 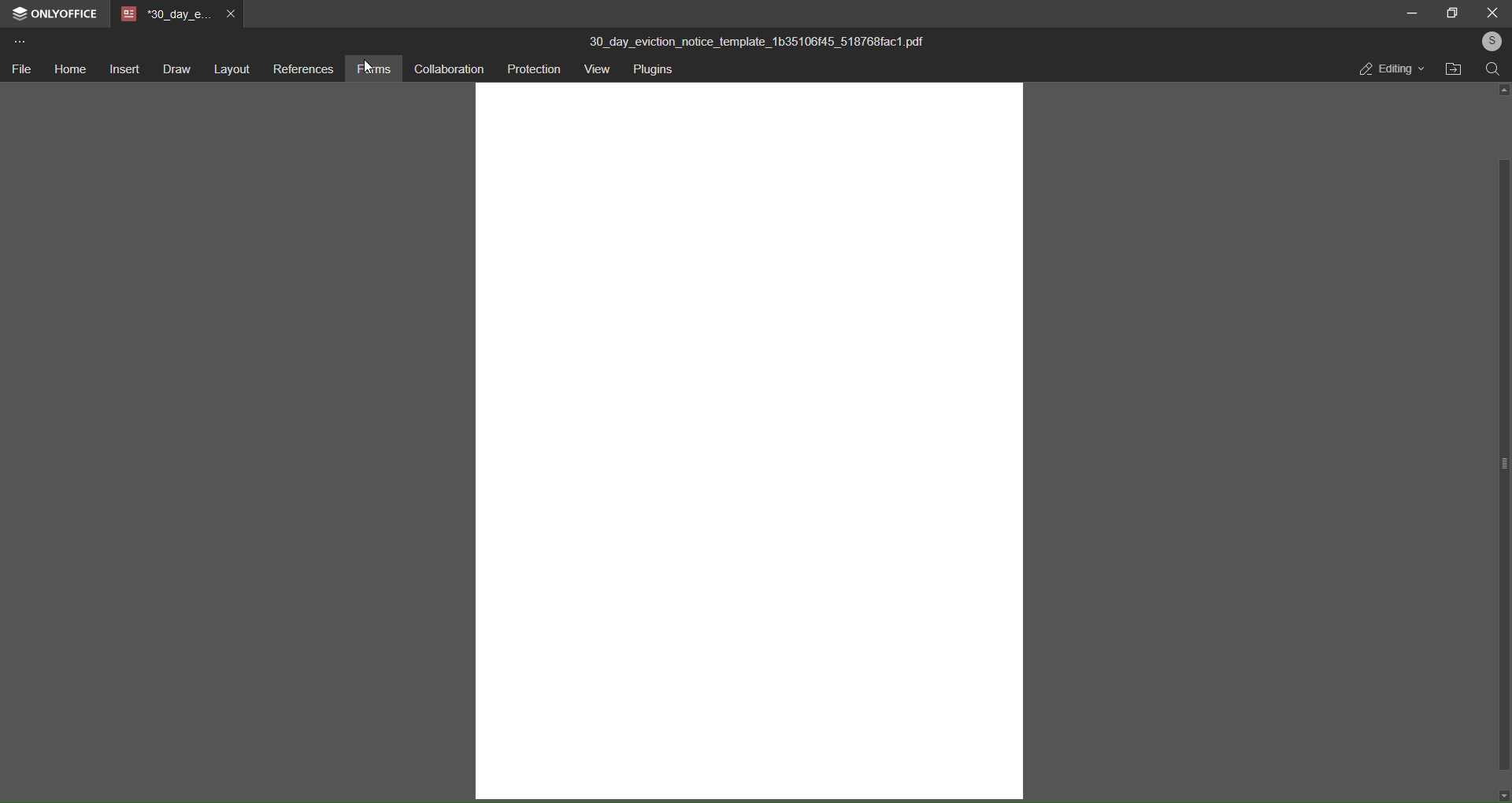 I want to click on down, so click(x=1504, y=796).